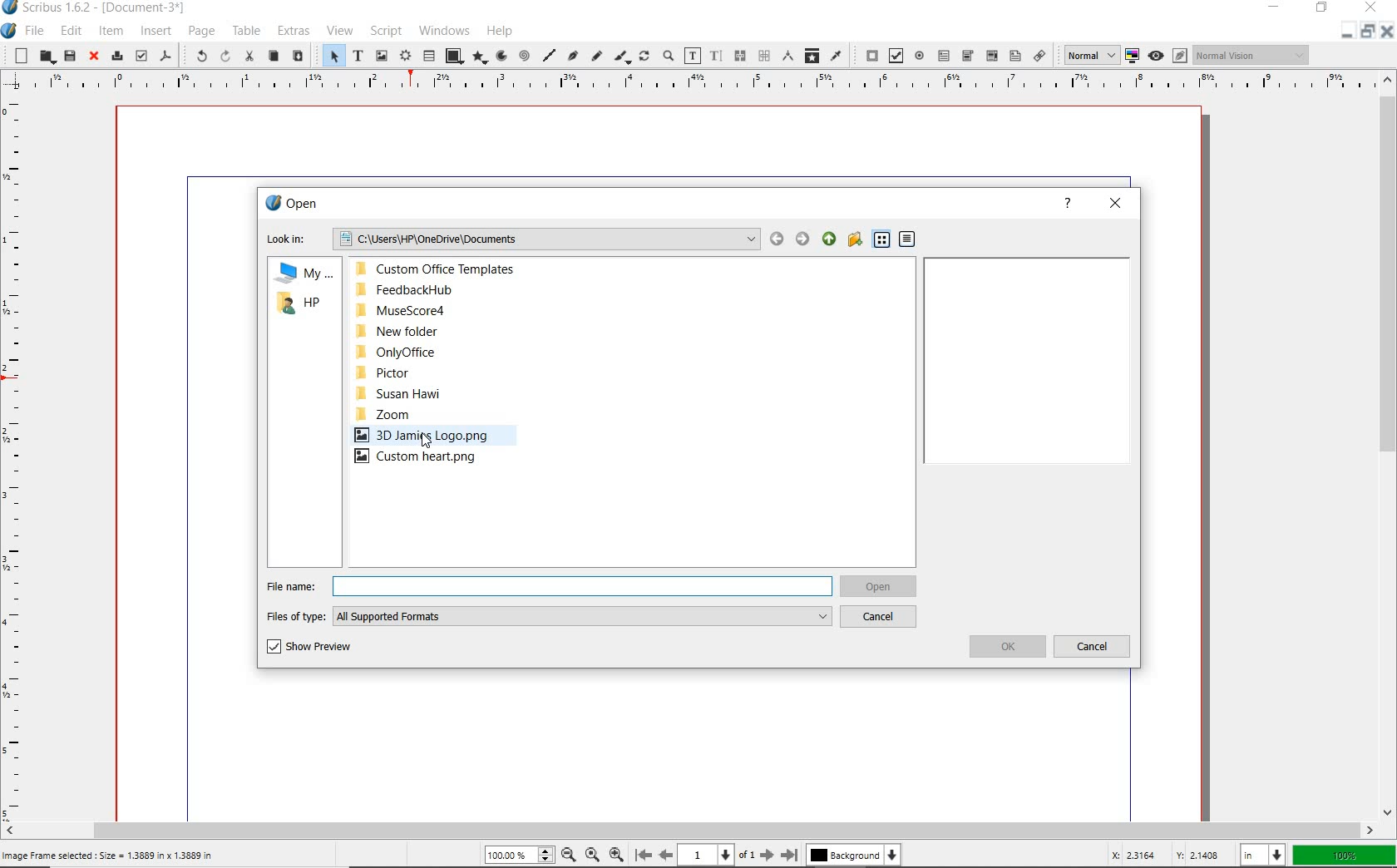 The image size is (1397, 868). Describe the element at coordinates (444, 31) in the screenshot. I see `WINDOWS` at that location.